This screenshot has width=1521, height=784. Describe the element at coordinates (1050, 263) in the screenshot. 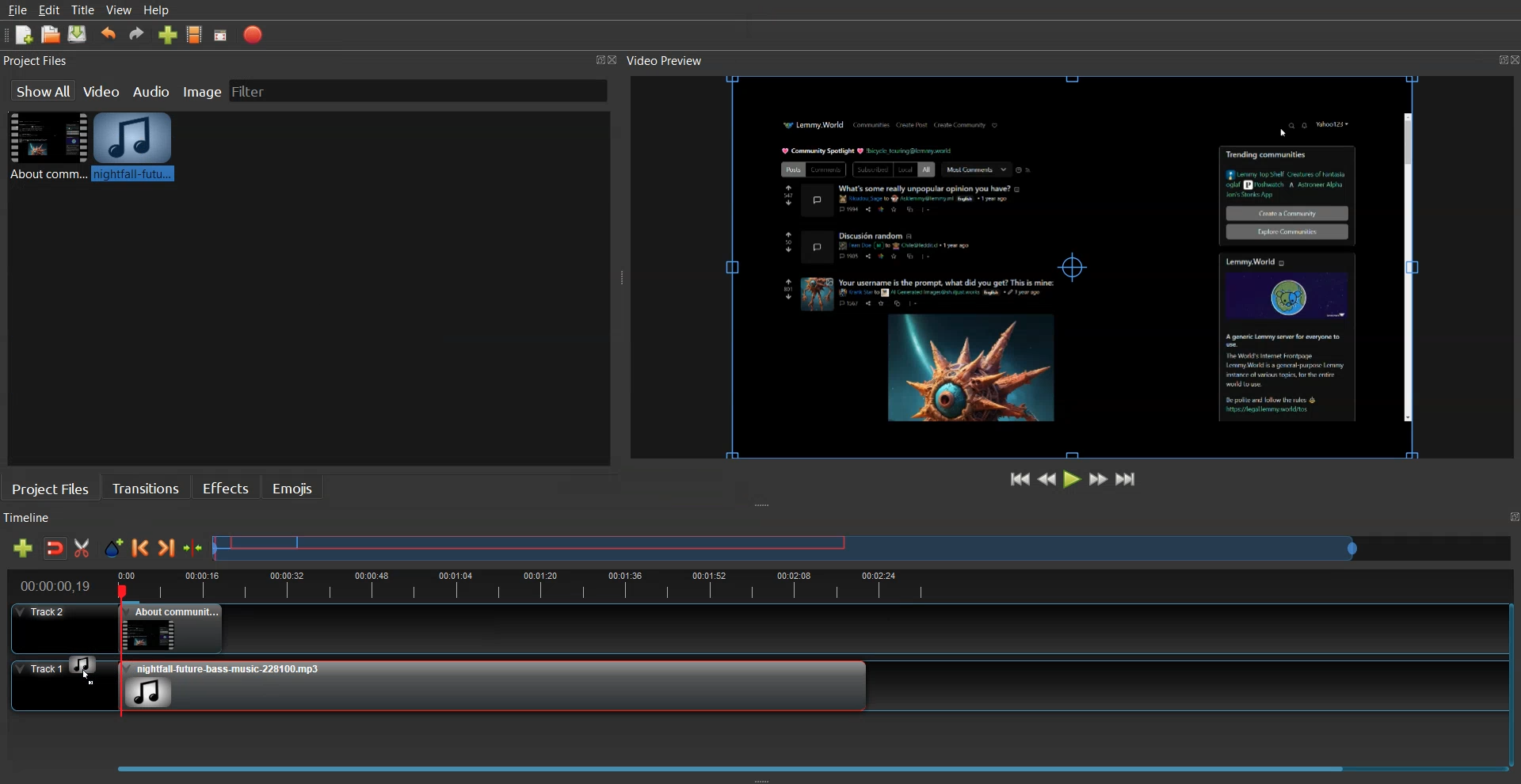

I see `File Preview` at that location.